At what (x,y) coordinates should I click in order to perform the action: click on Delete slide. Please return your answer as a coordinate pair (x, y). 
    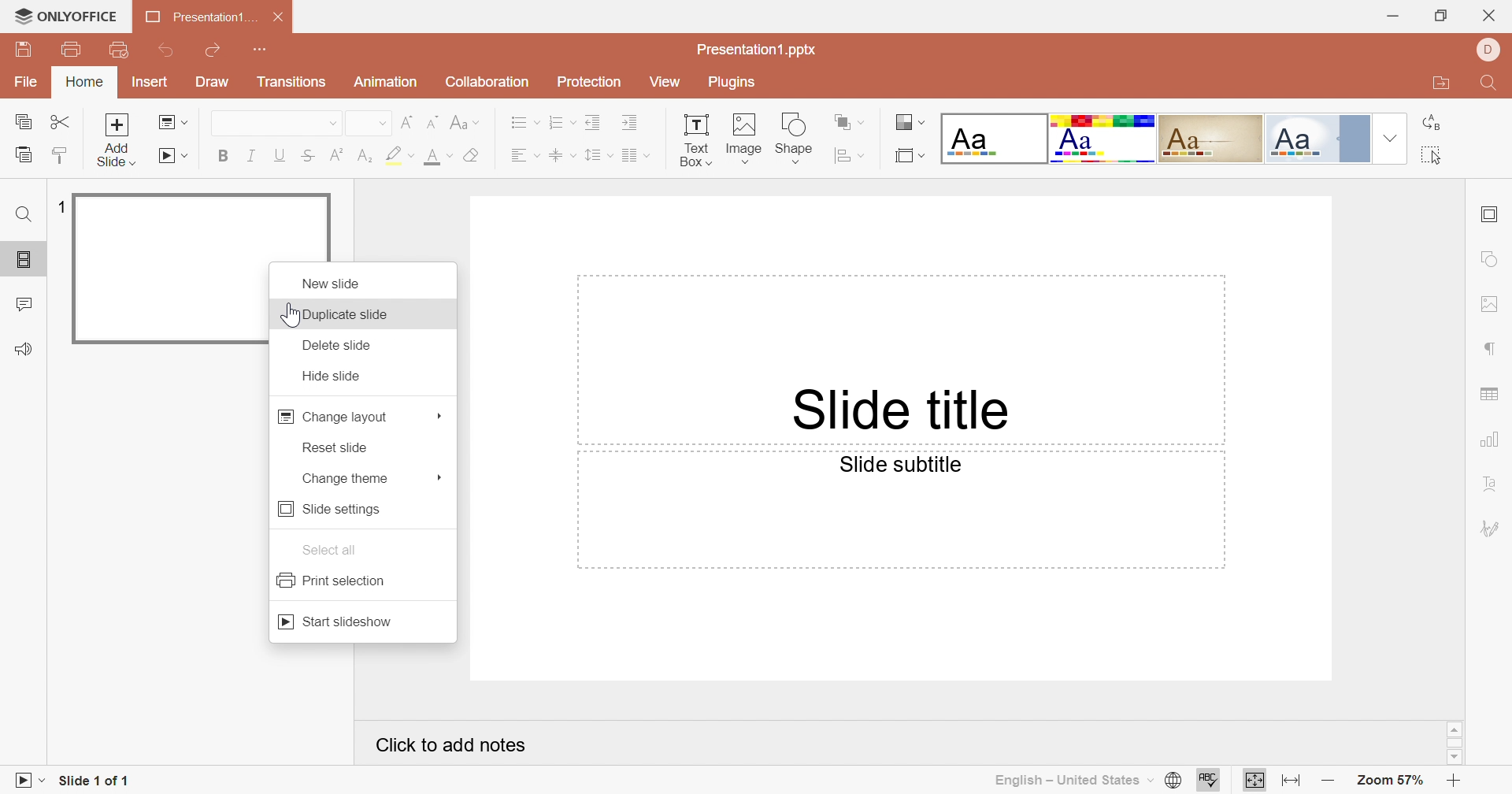
    Looking at the image, I should click on (339, 344).